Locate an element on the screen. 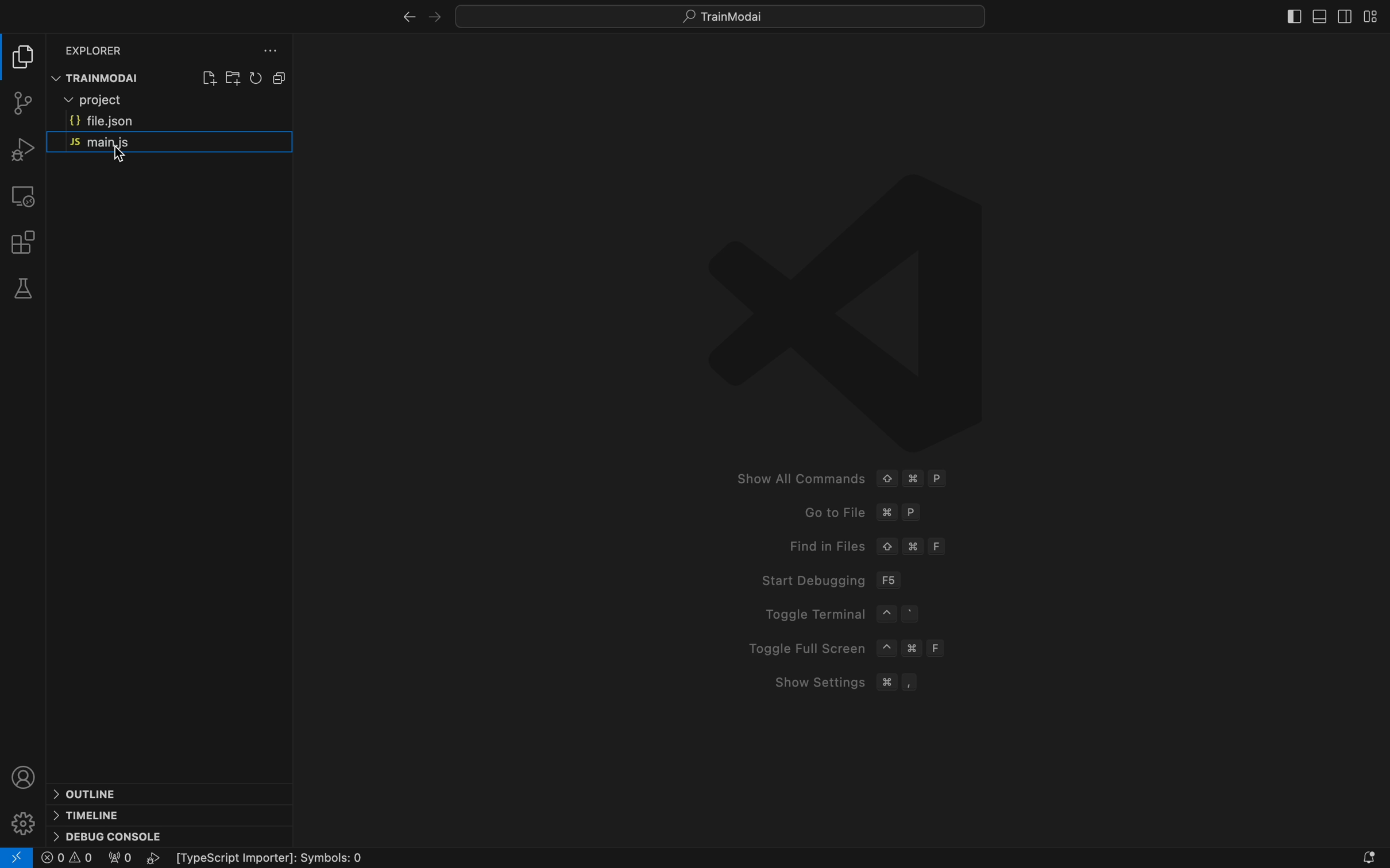 This screenshot has width=1390, height=868. remote explorer  is located at coordinates (25, 196).